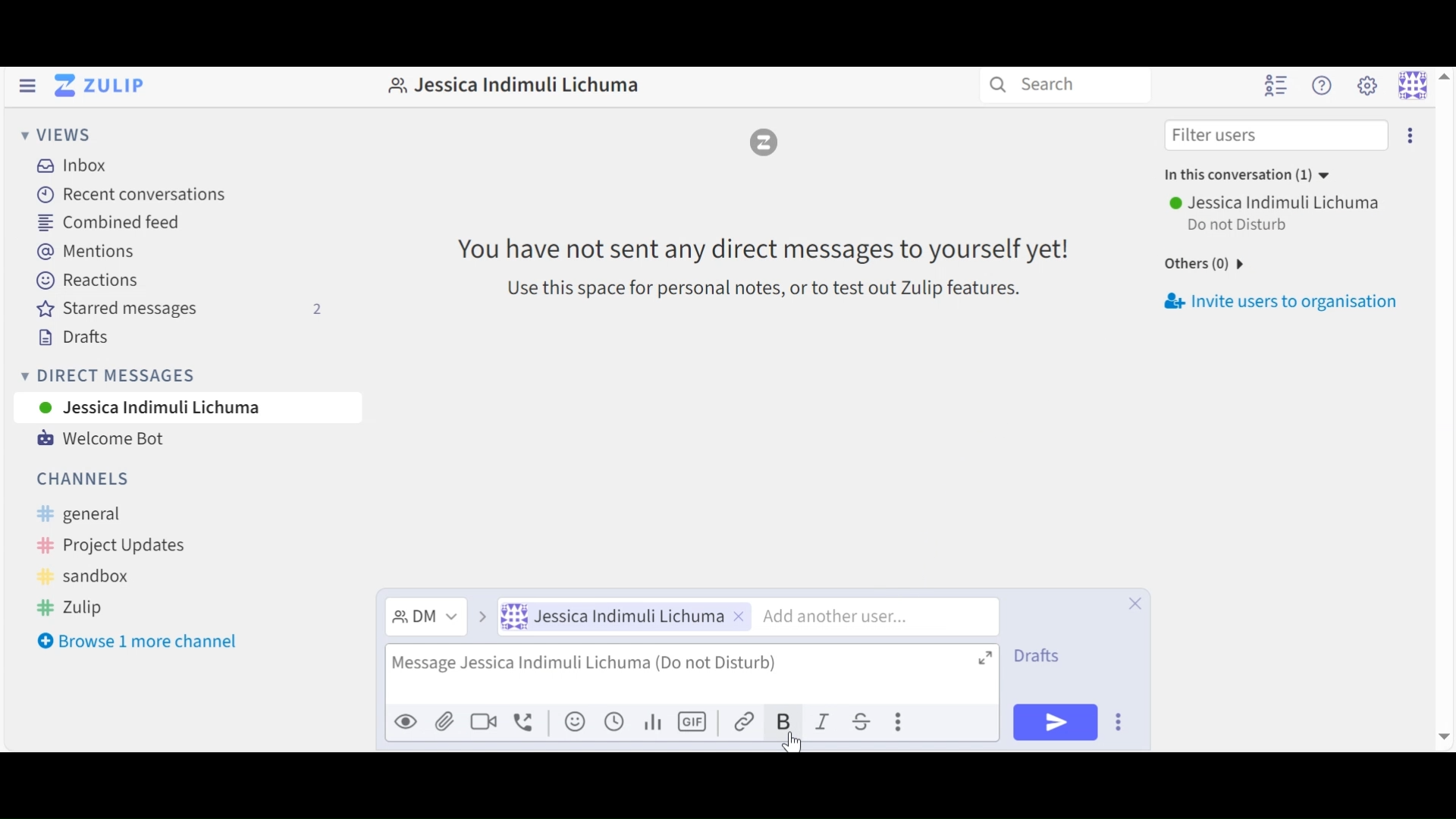 The image size is (1456, 819). I want to click on Add global time, so click(613, 721).